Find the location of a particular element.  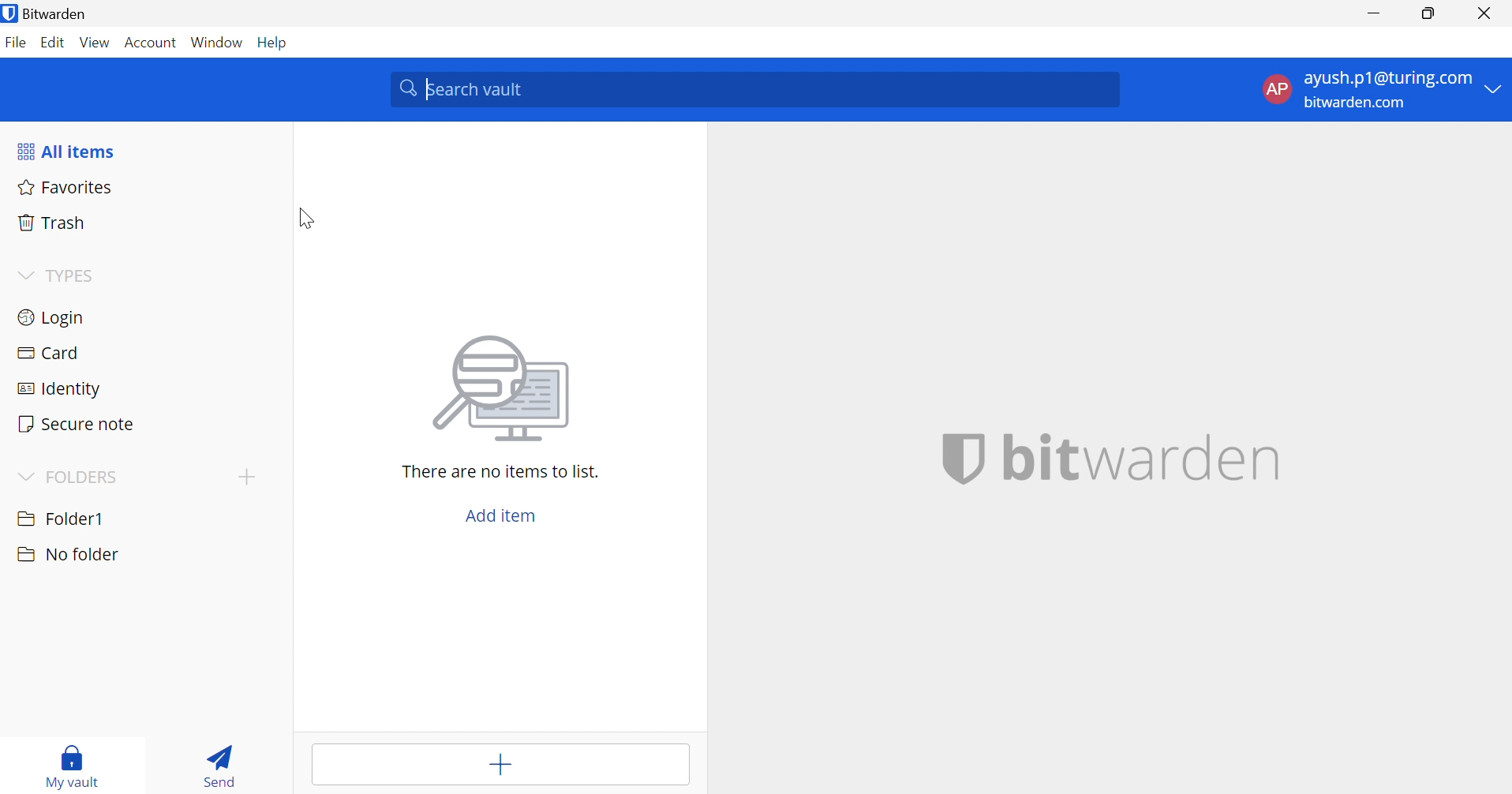

Login is located at coordinates (54, 318).